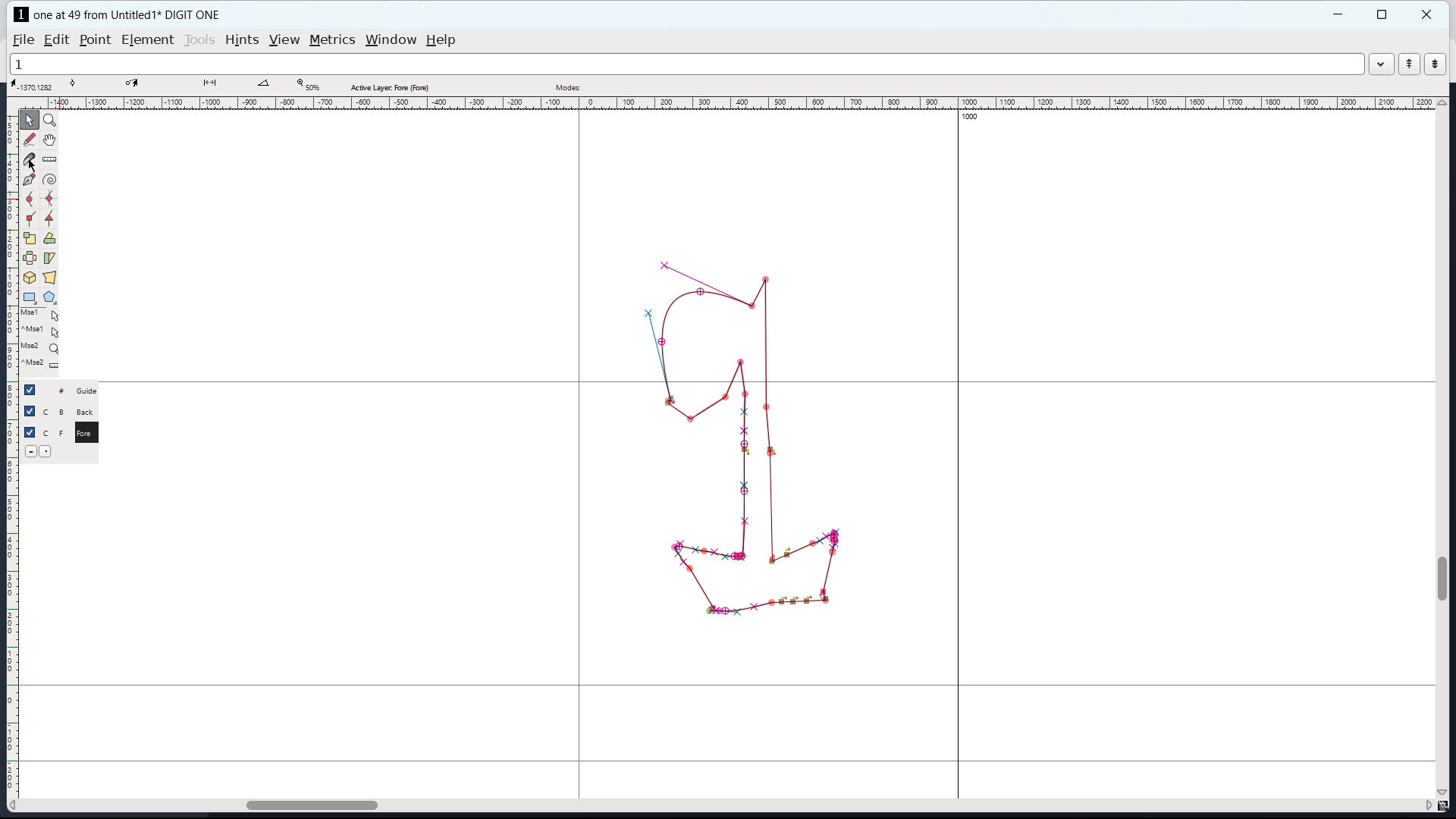  I want to click on 1, so click(686, 64).